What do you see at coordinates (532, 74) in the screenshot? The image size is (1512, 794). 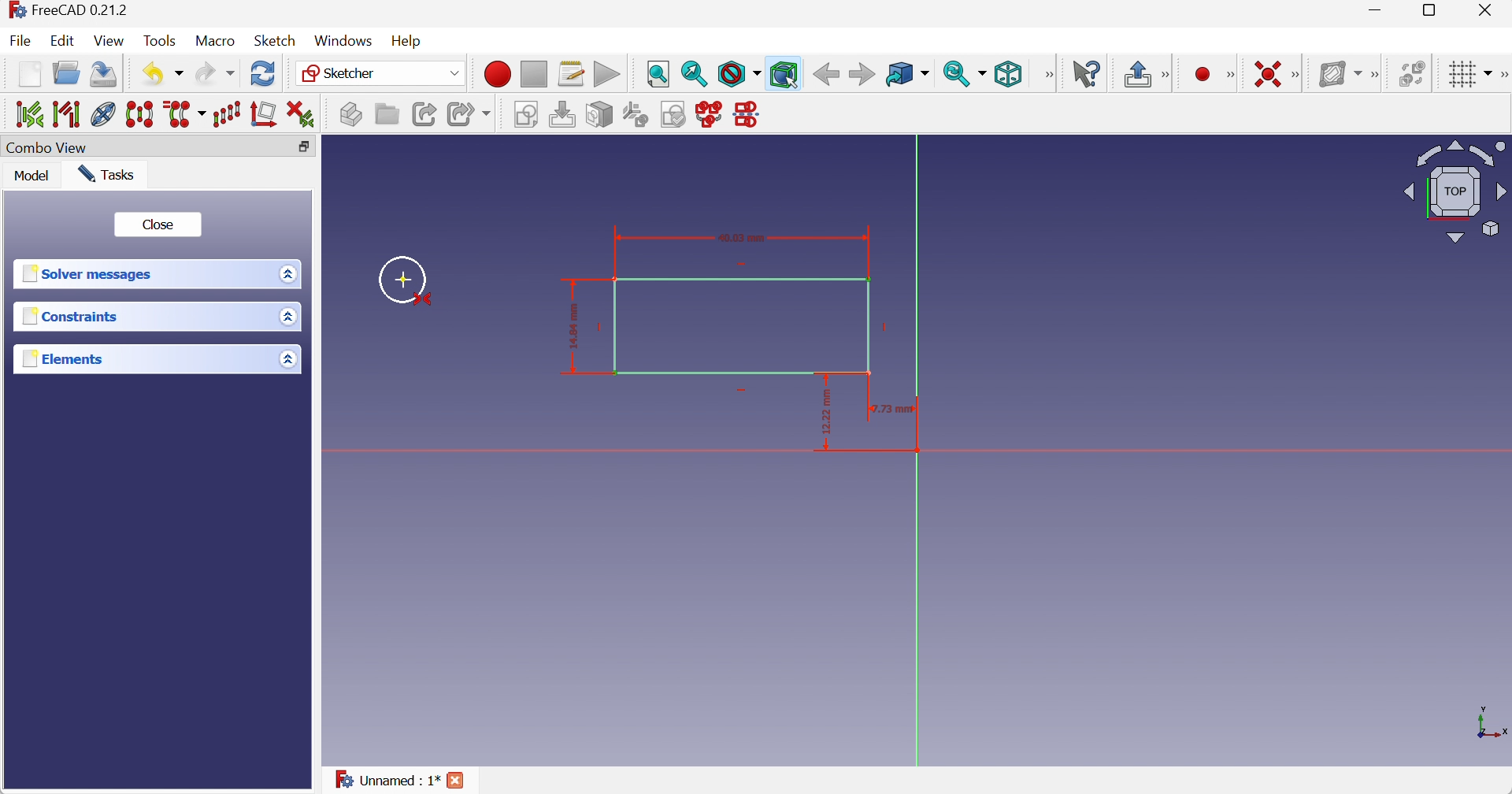 I see `Stop macro recording` at bounding box center [532, 74].